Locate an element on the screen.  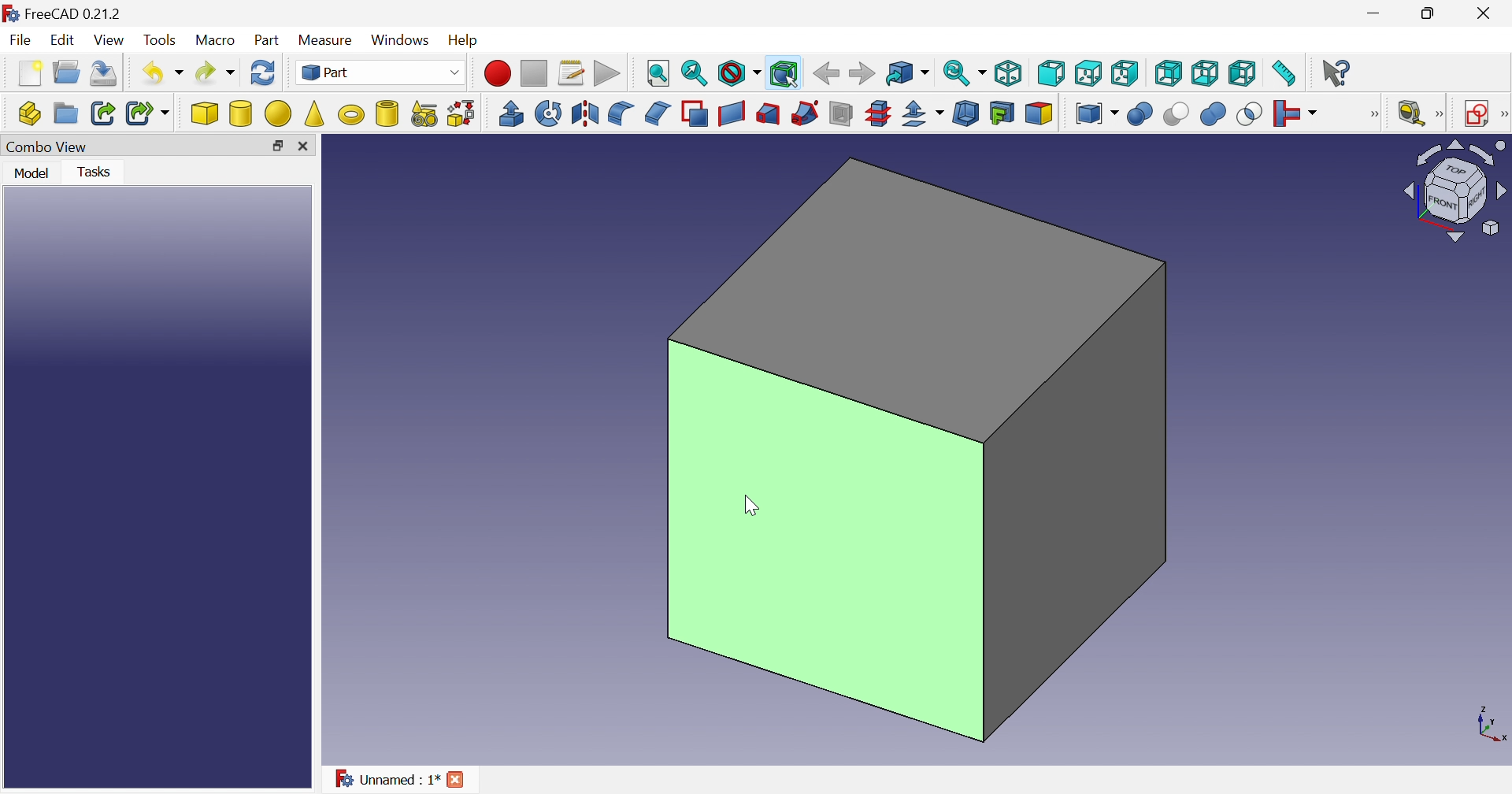
logo is located at coordinates (11, 13).